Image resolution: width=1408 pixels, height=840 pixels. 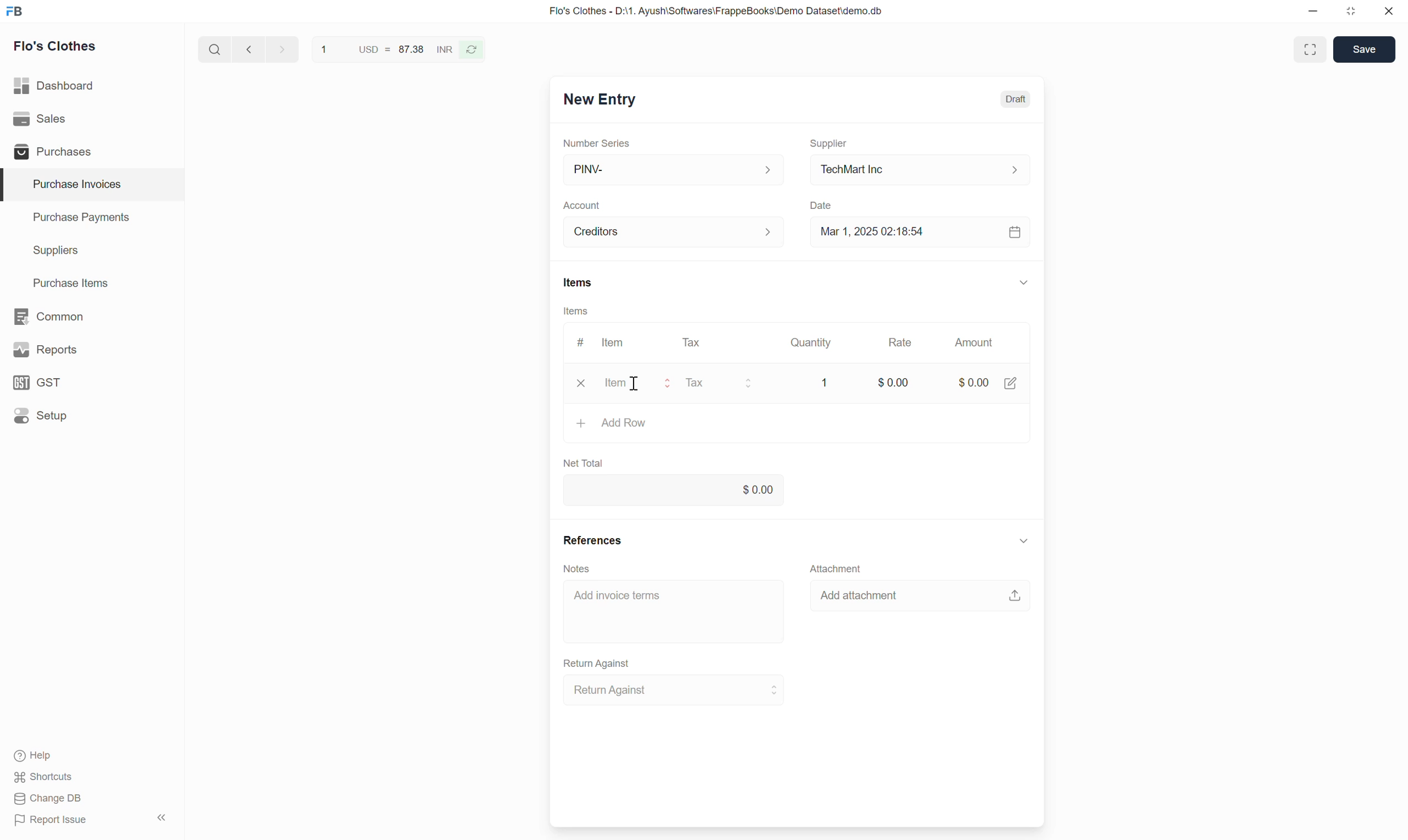 What do you see at coordinates (601, 100) in the screenshot?
I see `New Entry` at bounding box center [601, 100].